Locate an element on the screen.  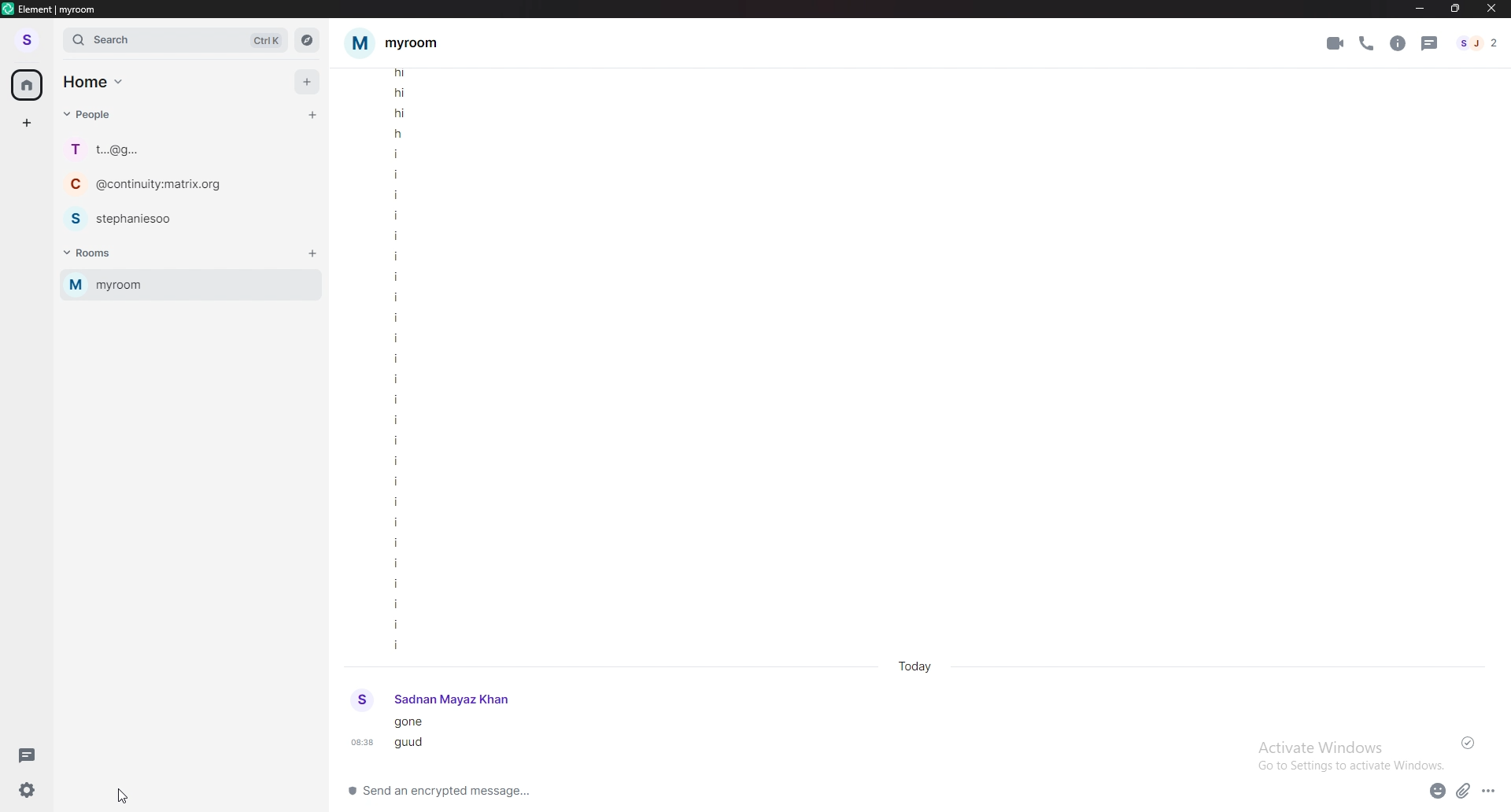
people is located at coordinates (91, 113).